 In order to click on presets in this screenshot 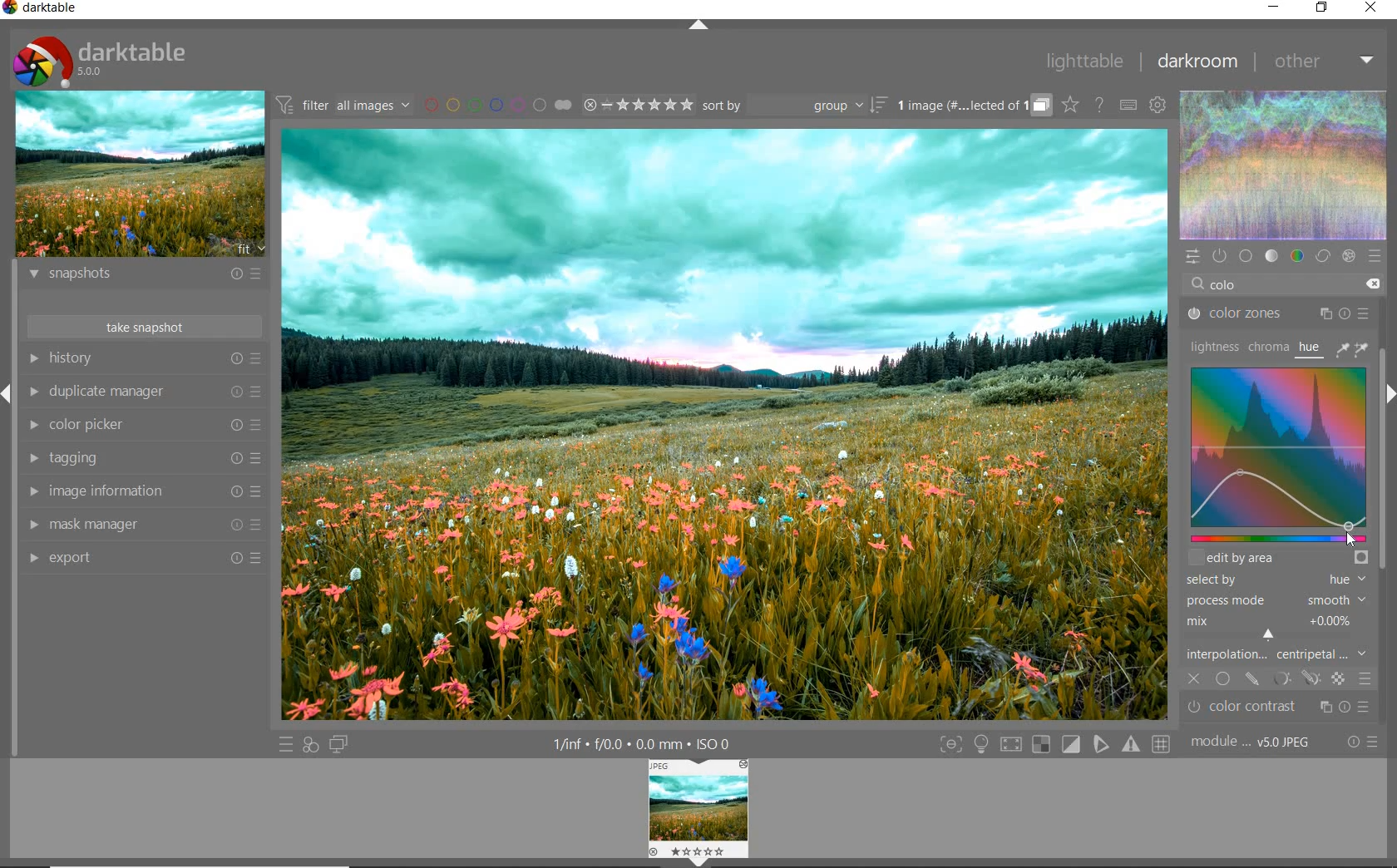, I will do `click(1374, 256)`.